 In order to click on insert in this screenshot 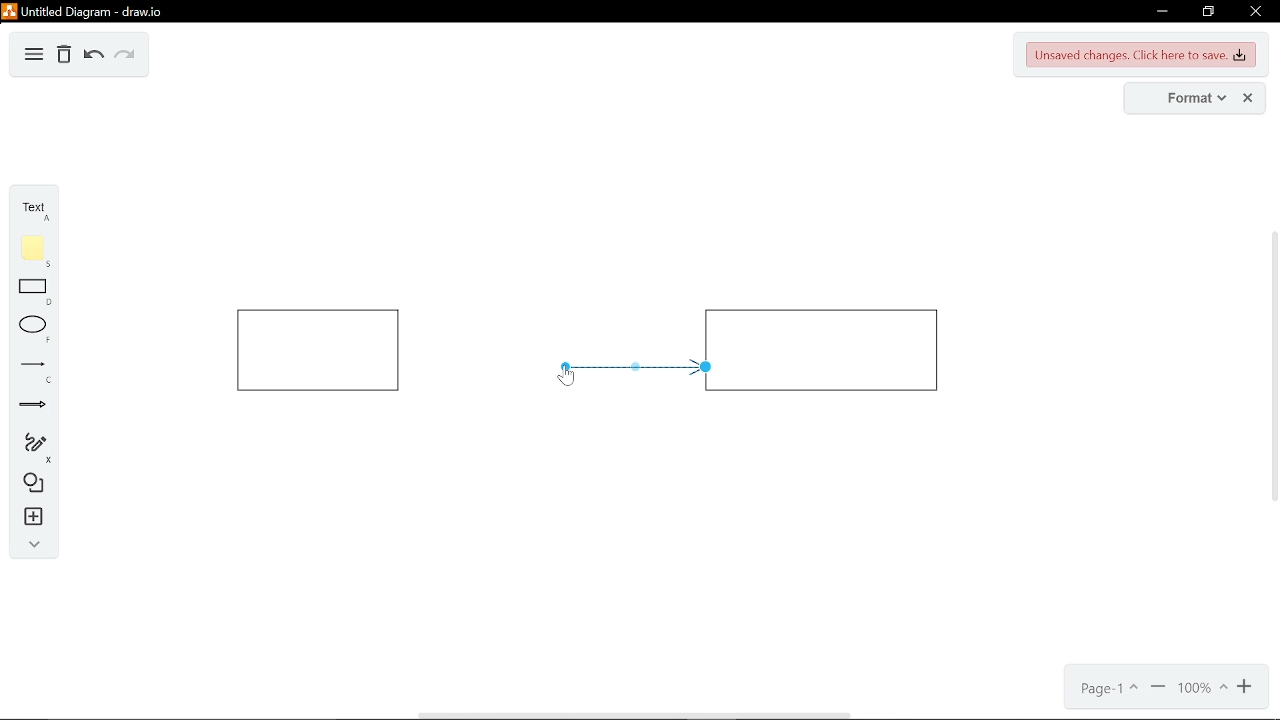, I will do `click(32, 517)`.